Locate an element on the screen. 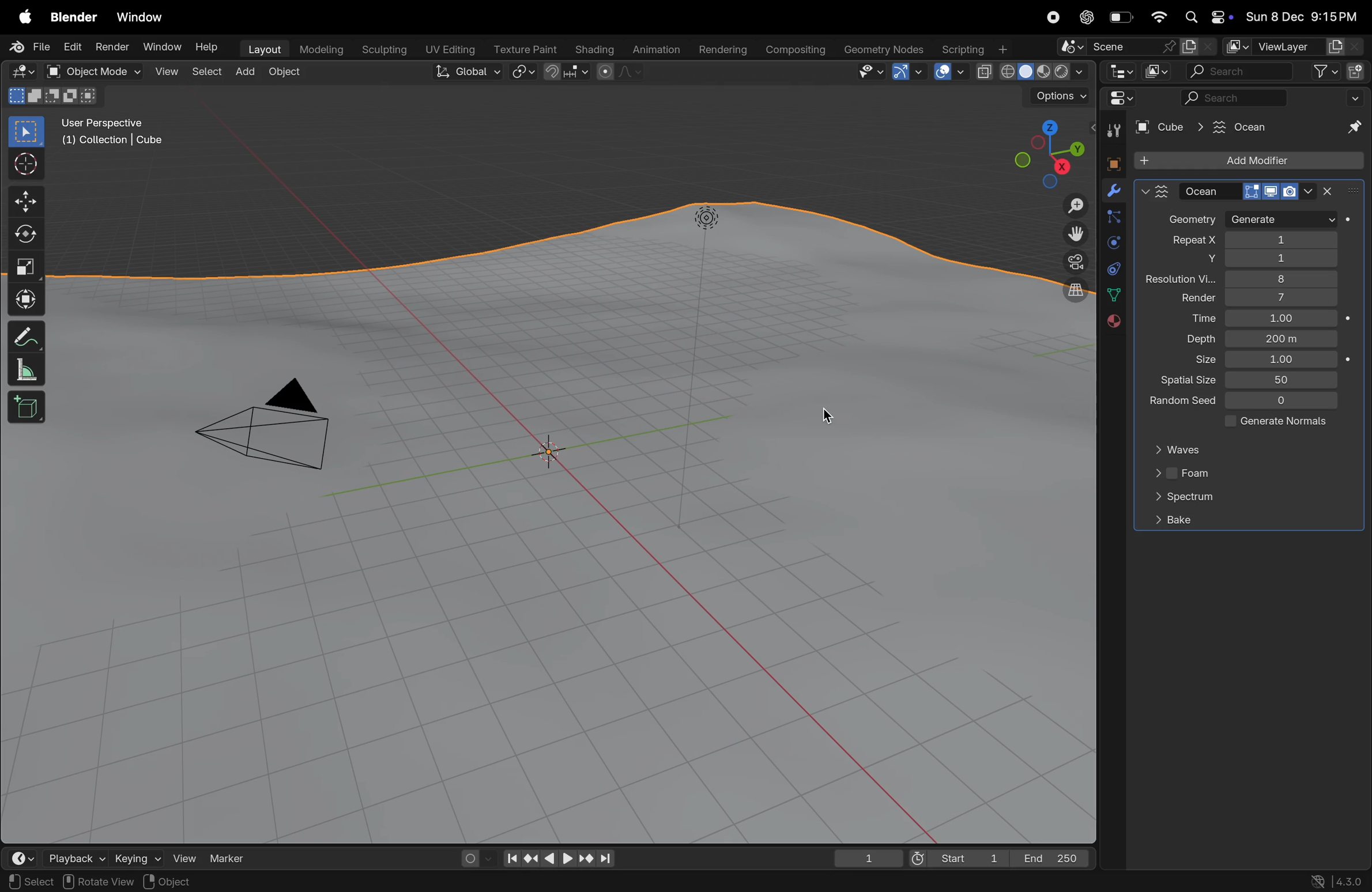  widgets is located at coordinates (1118, 99).